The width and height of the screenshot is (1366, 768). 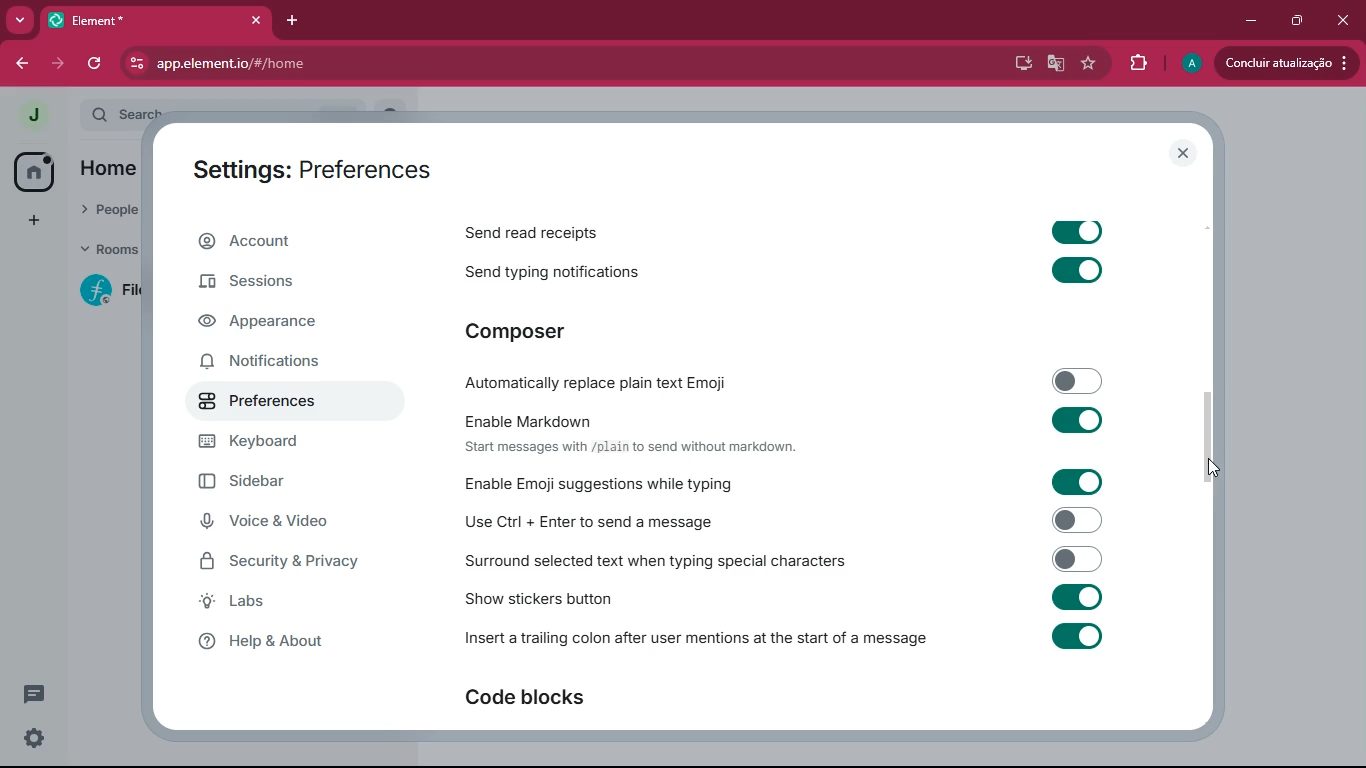 What do you see at coordinates (277, 324) in the screenshot?
I see `appearance` at bounding box center [277, 324].